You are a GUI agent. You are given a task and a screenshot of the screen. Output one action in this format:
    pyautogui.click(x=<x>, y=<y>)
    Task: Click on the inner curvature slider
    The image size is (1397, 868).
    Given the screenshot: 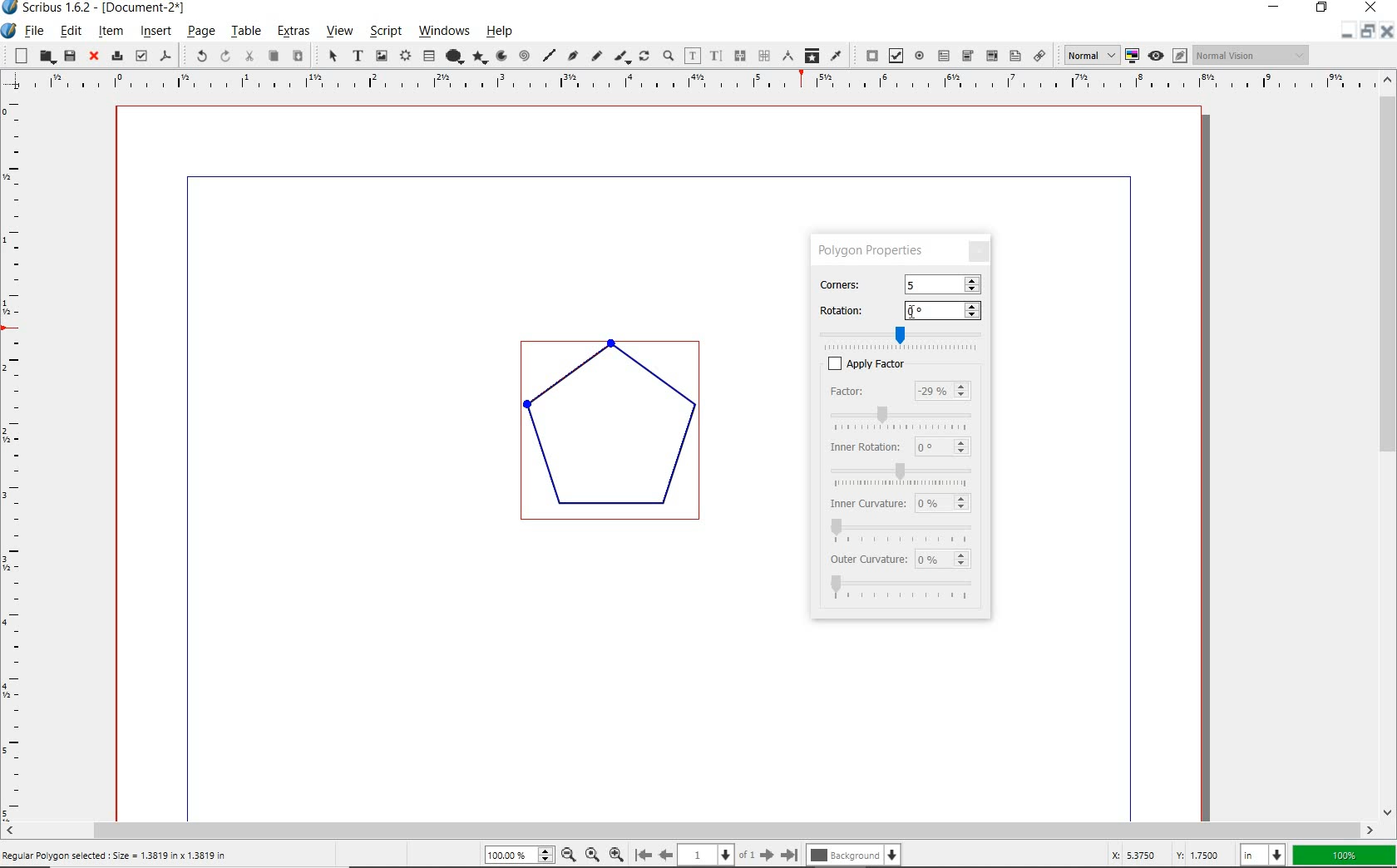 What is the action you would take?
    pyautogui.click(x=901, y=529)
    